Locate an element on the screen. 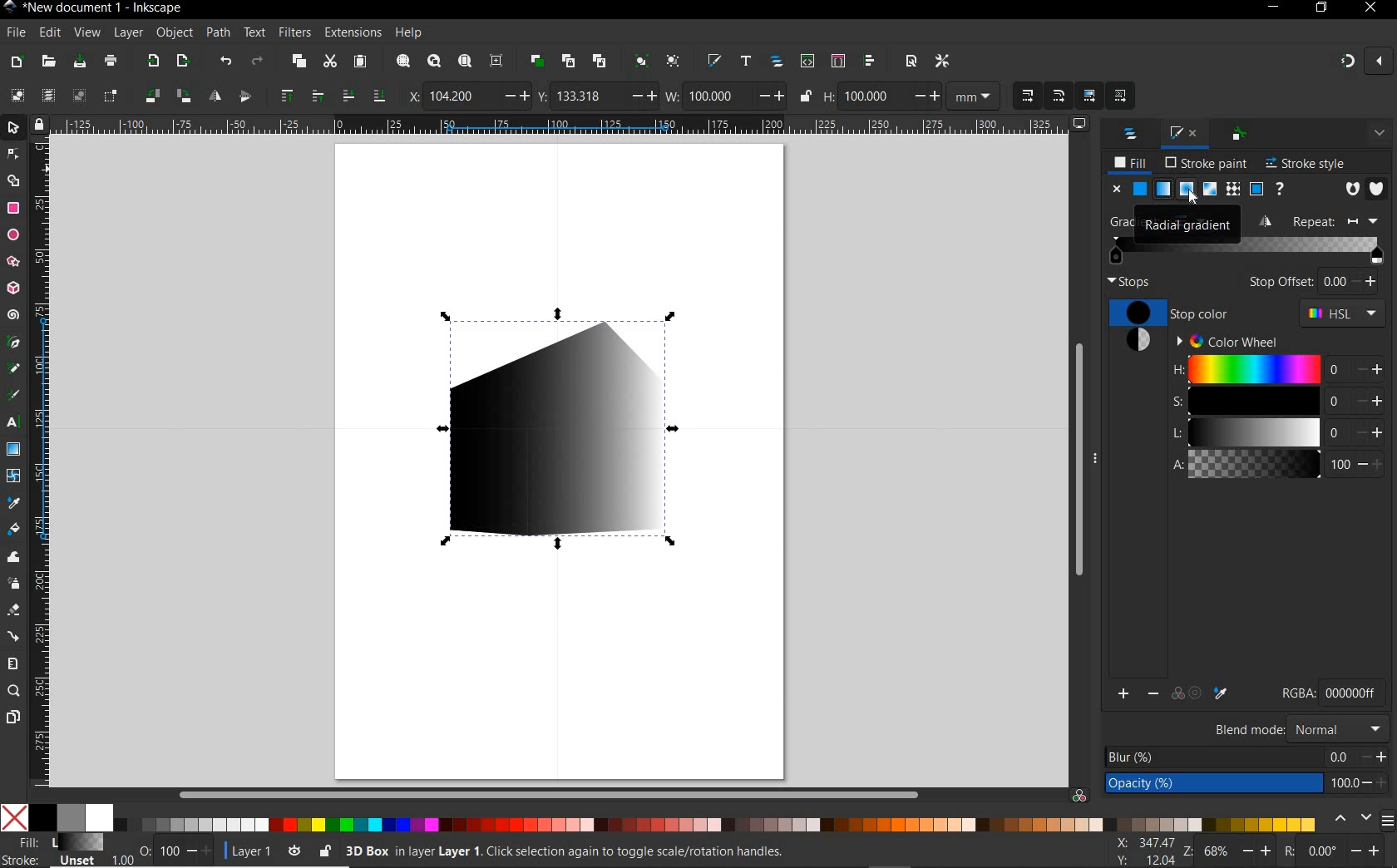  radial gradient is located at coordinates (1172, 224).